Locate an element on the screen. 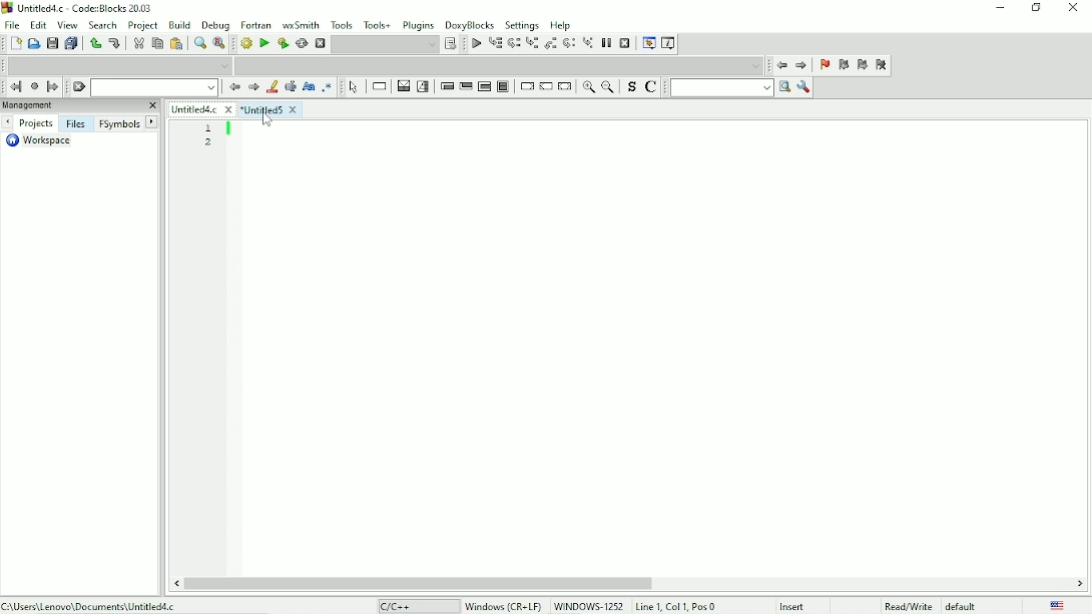 The image size is (1092, 614). Zoom in is located at coordinates (588, 86).